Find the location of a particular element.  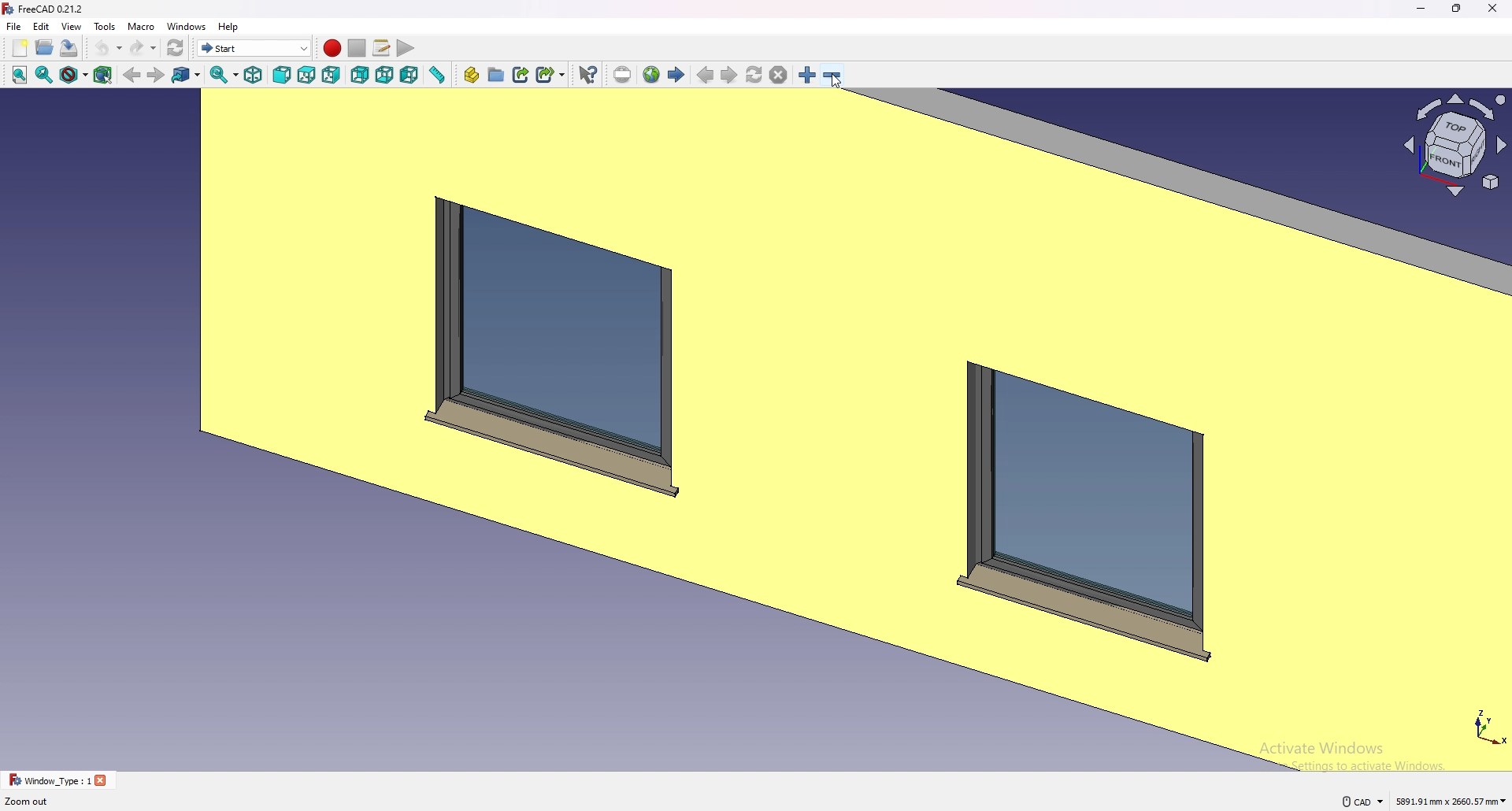

right is located at coordinates (333, 74).